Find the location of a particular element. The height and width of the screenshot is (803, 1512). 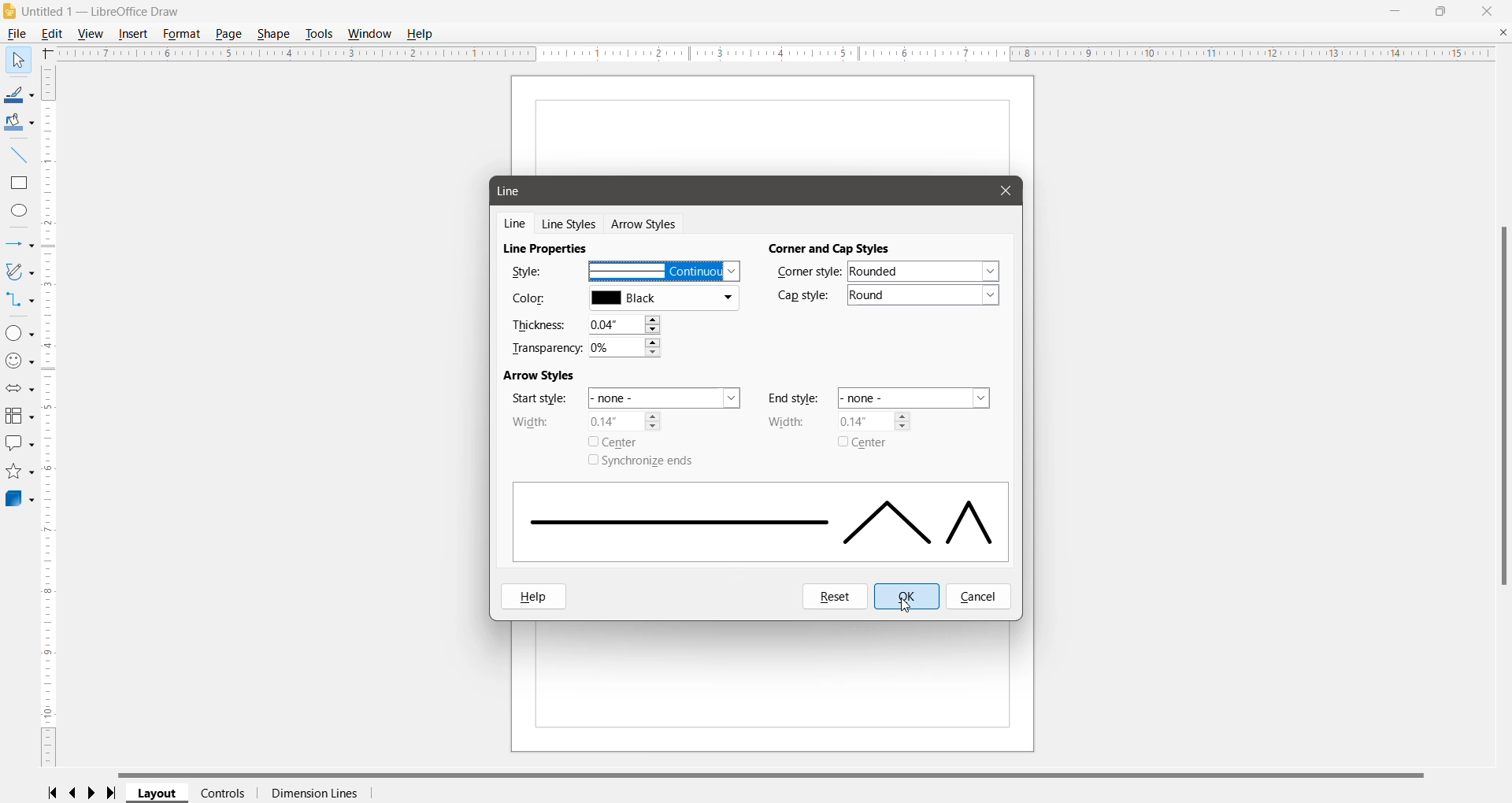

Set Arrow width is located at coordinates (623, 422).